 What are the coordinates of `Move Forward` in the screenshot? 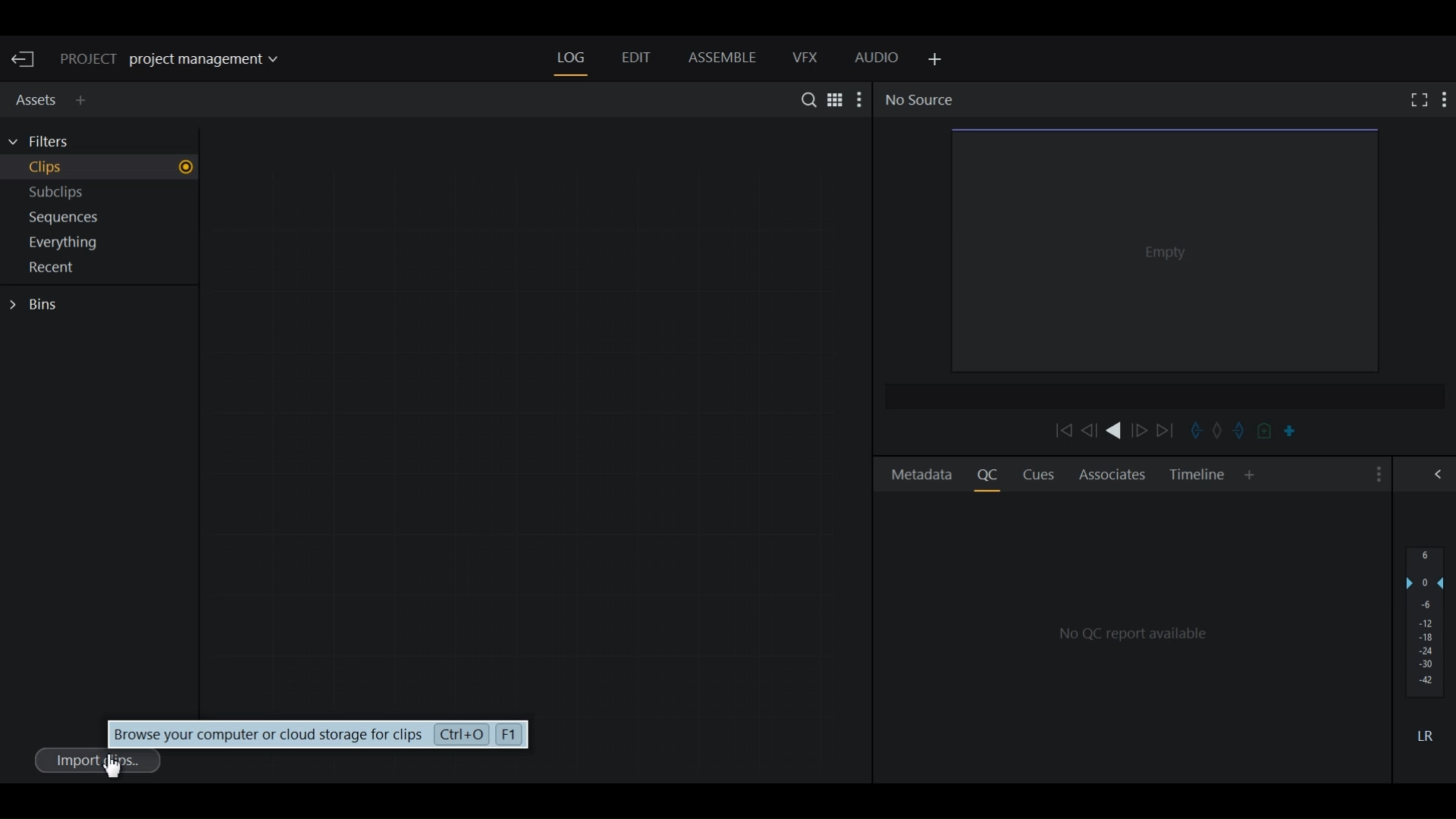 It's located at (1170, 431).